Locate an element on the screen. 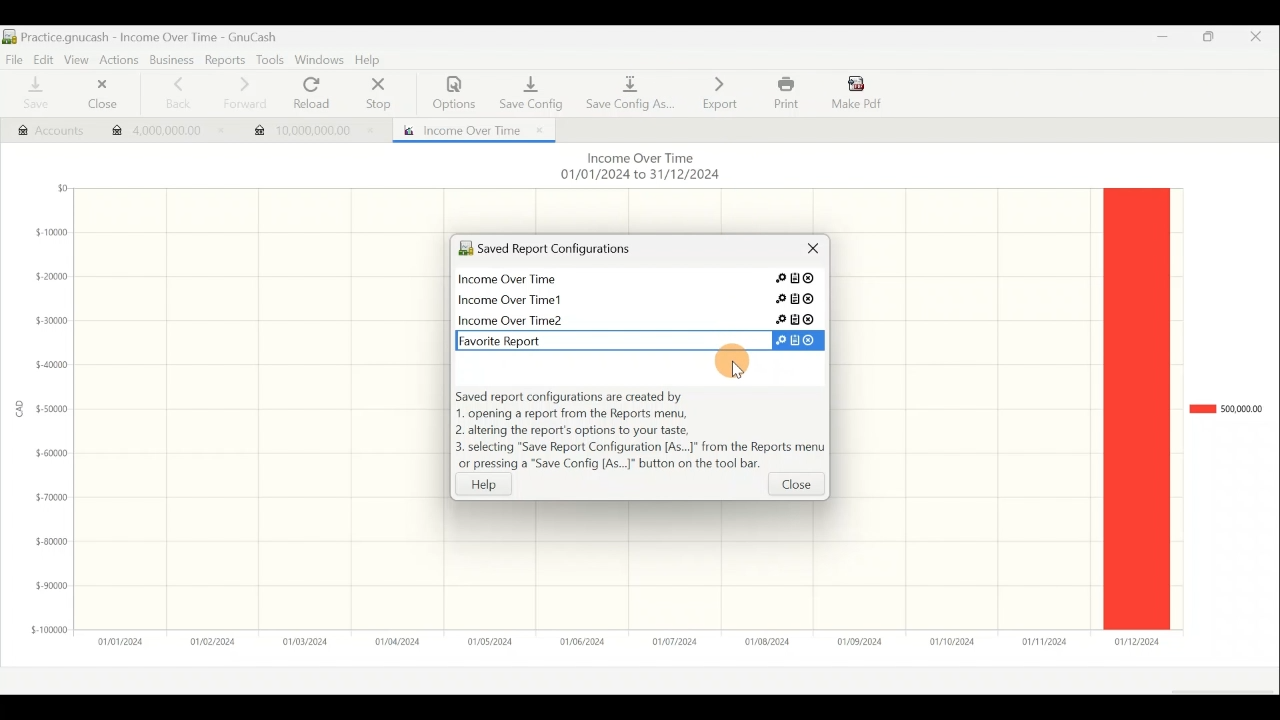  Saved report 2 is located at coordinates (640, 297).